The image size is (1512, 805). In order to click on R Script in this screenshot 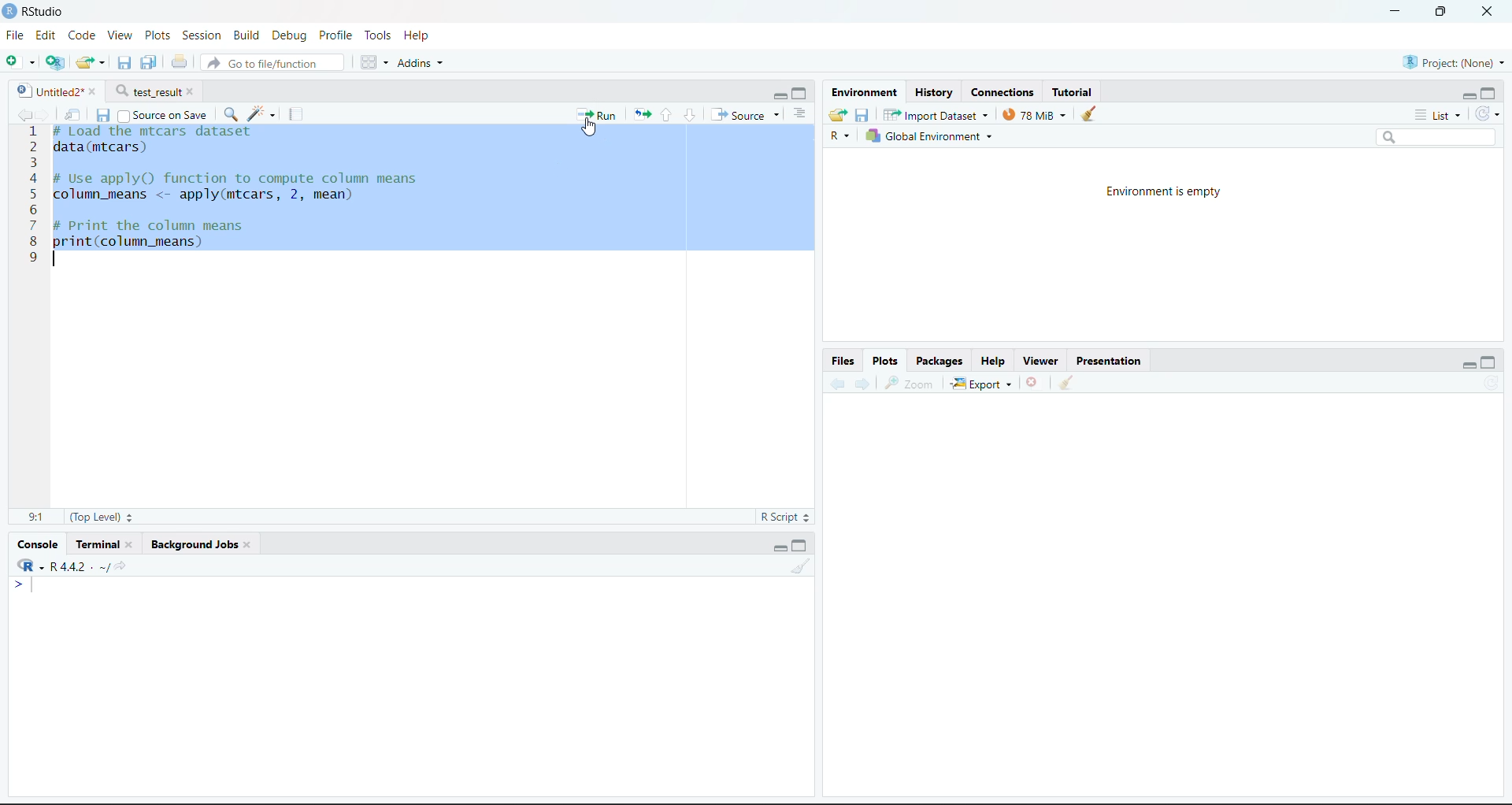, I will do `click(787, 517)`.